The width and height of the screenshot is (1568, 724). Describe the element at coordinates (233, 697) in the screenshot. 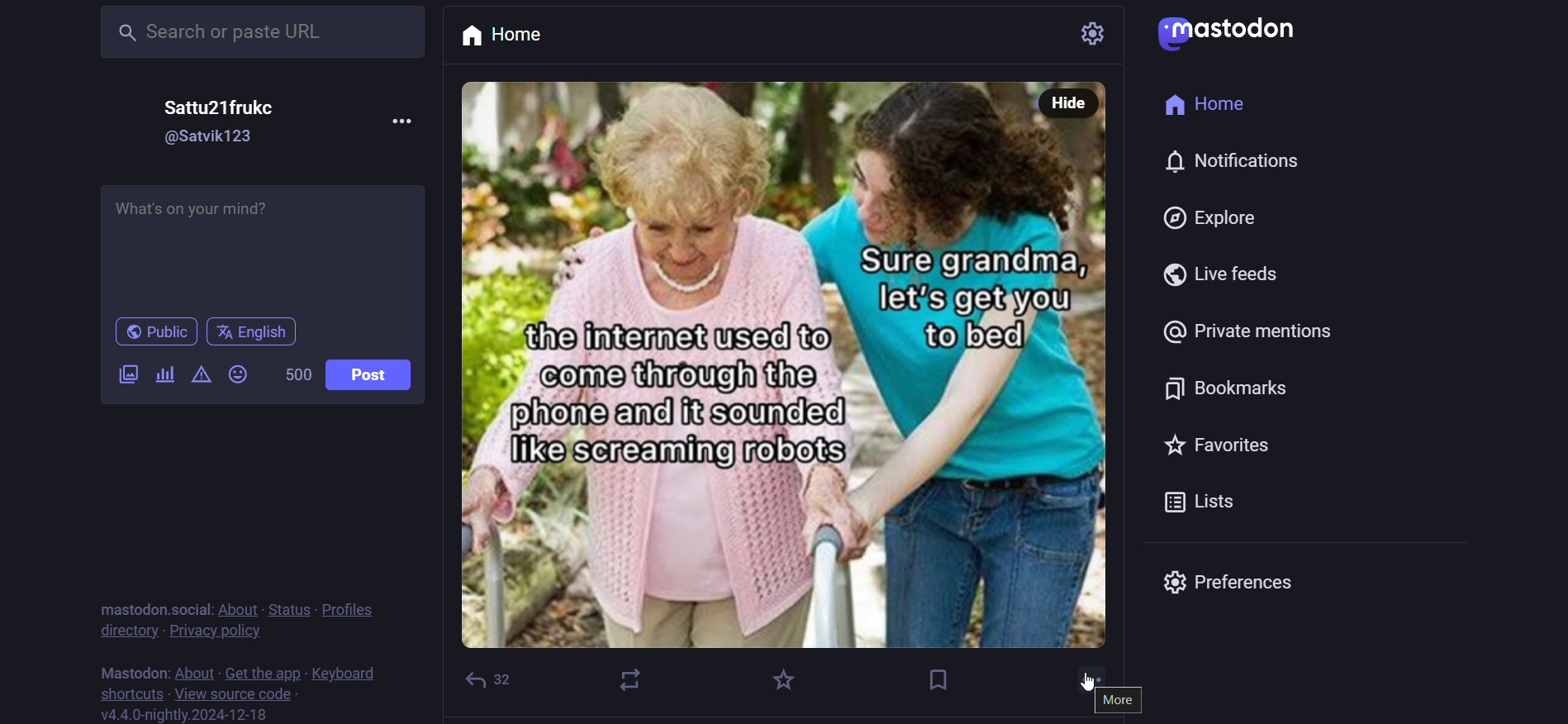

I see `source code` at that location.